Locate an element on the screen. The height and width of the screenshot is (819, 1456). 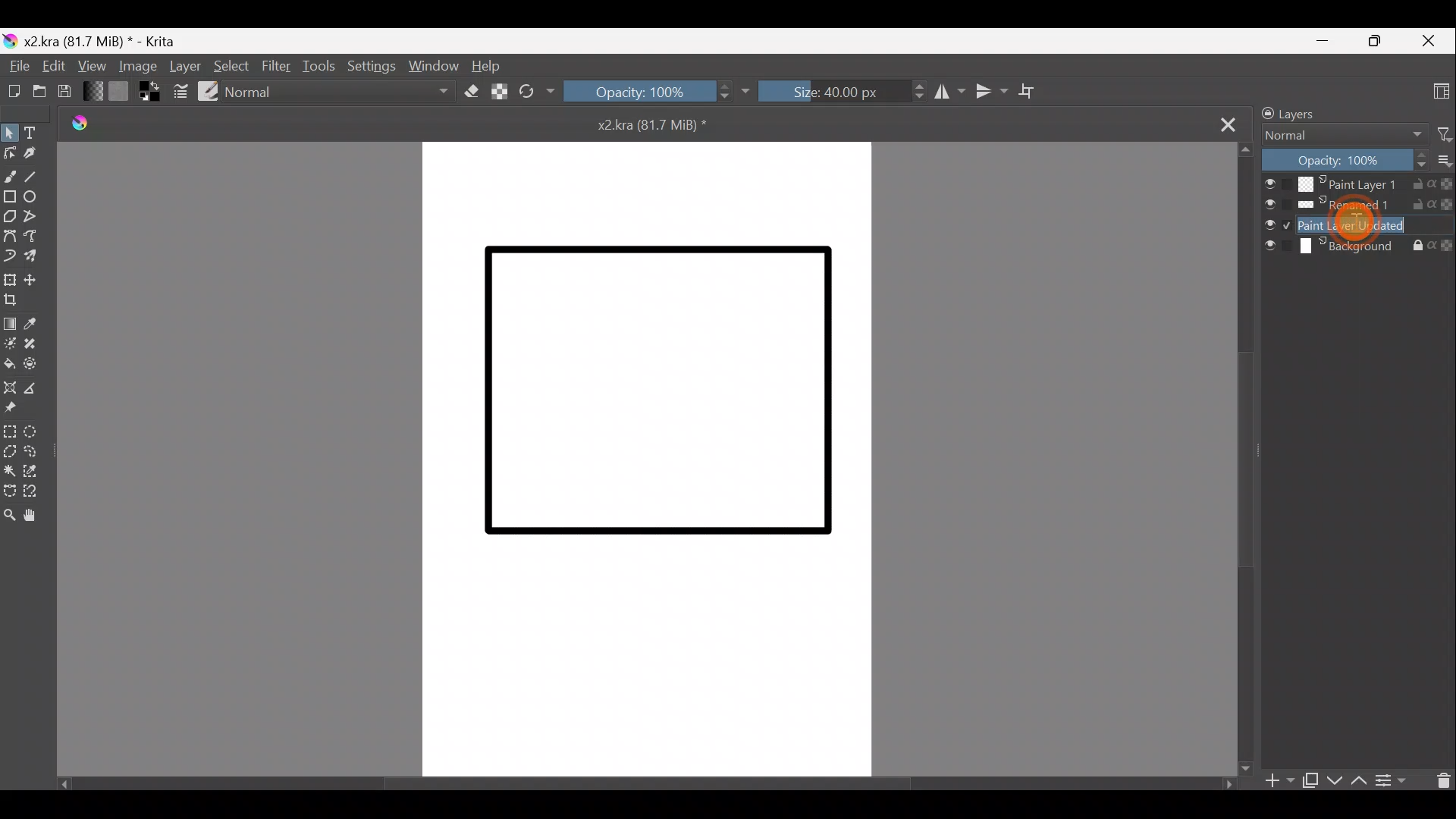
Opacity: 100% is located at coordinates (1345, 159).